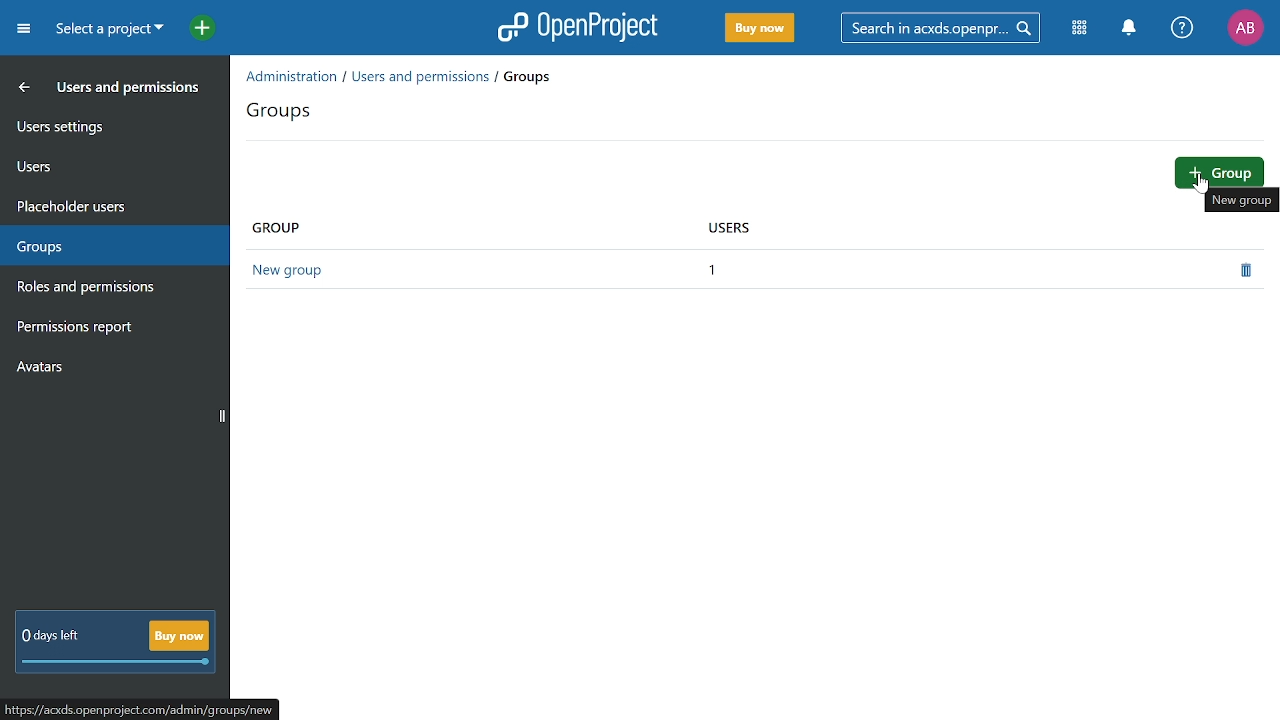 The height and width of the screenshot is (720, 1280). Describe the element at coordinates (117, 663) in the screenshot. I see `Days left in scale` at that location.